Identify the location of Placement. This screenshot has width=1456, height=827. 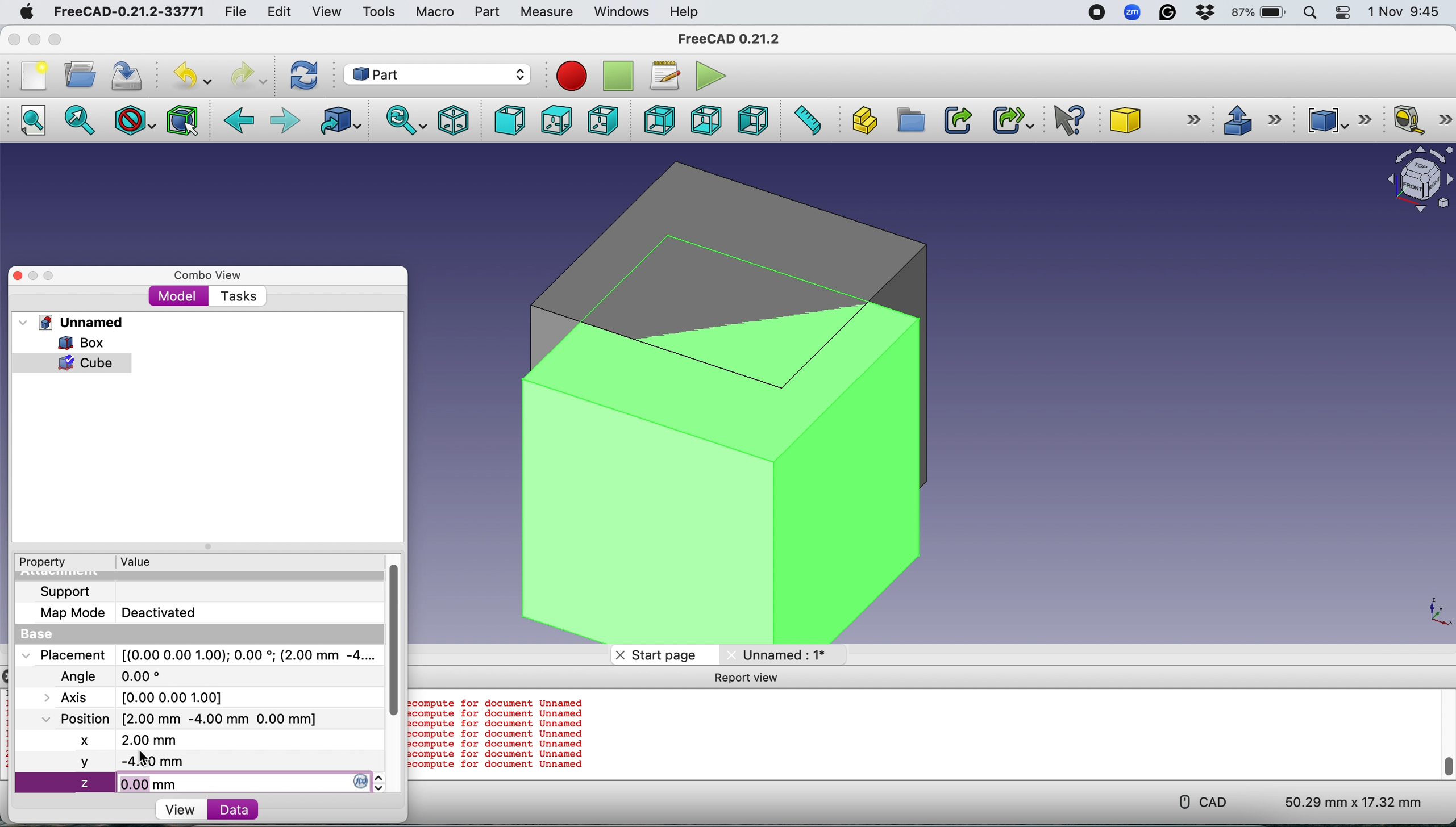
(202, 655).